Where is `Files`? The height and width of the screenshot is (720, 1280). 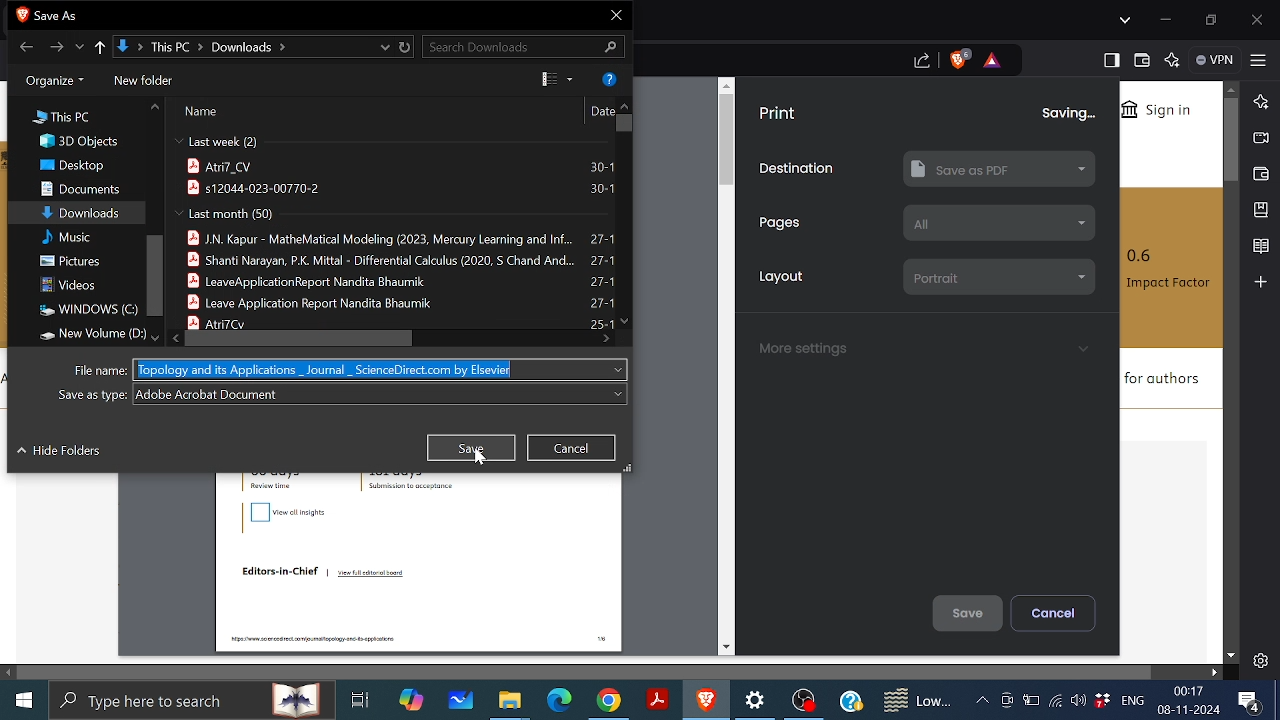
Files is located at coordinates (508, 703).